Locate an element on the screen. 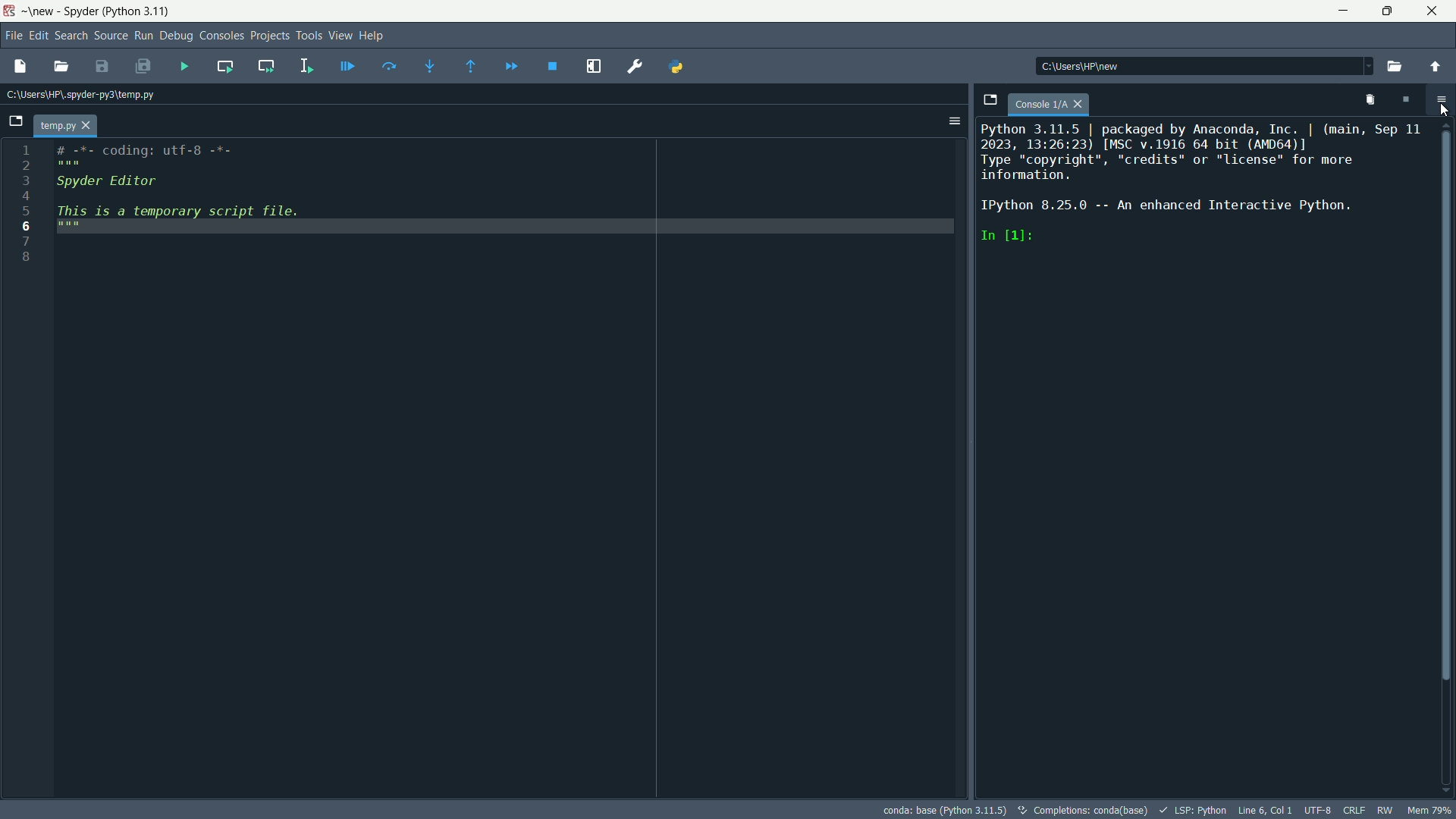 Image resolution: width=1456 pixels, height=819 pixels. browse a working directory is located at coordinates (1389, 67).